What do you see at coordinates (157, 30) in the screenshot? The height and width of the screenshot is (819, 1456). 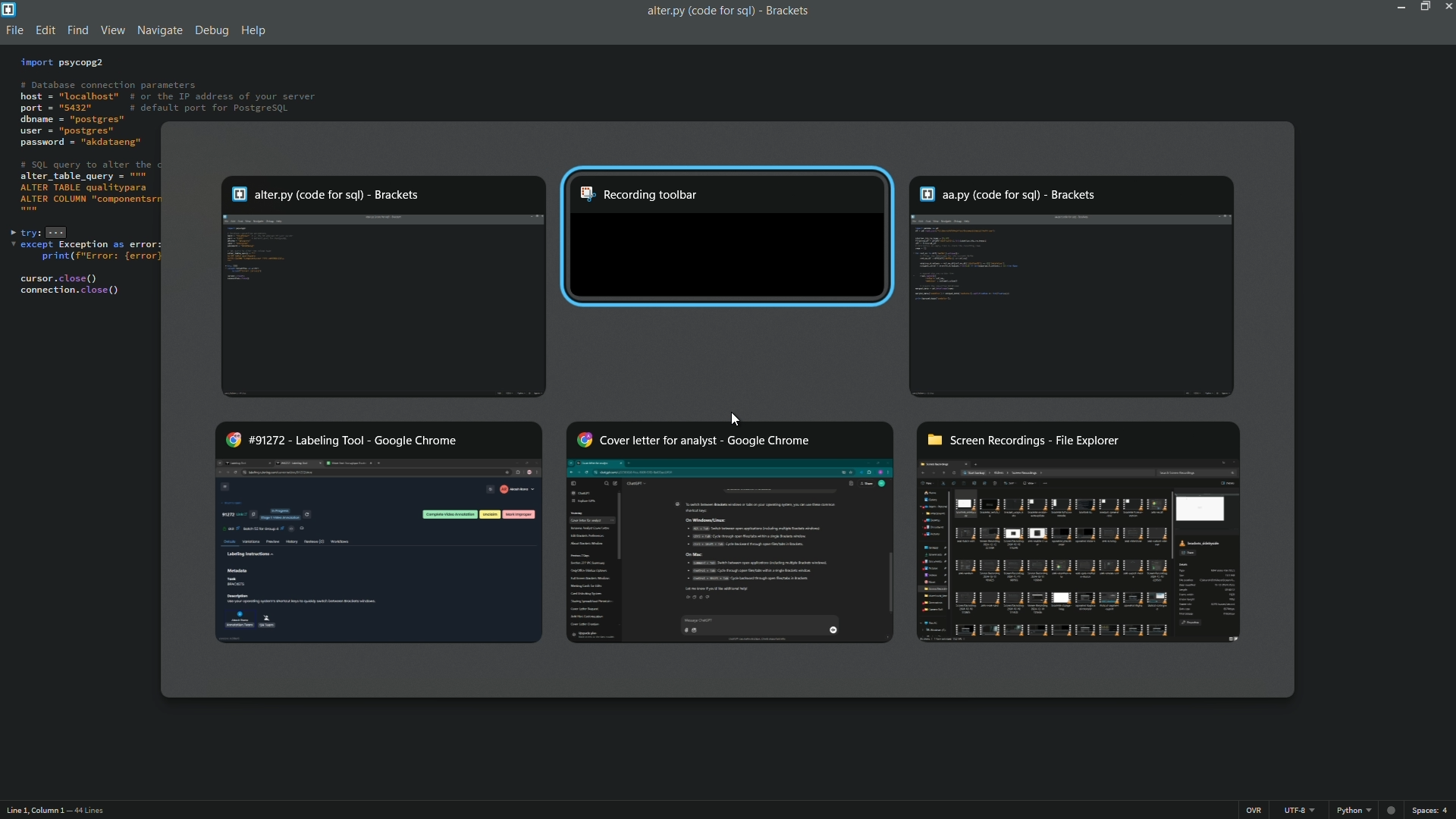 I see `navigate menu` at bounding box center [157, 30].